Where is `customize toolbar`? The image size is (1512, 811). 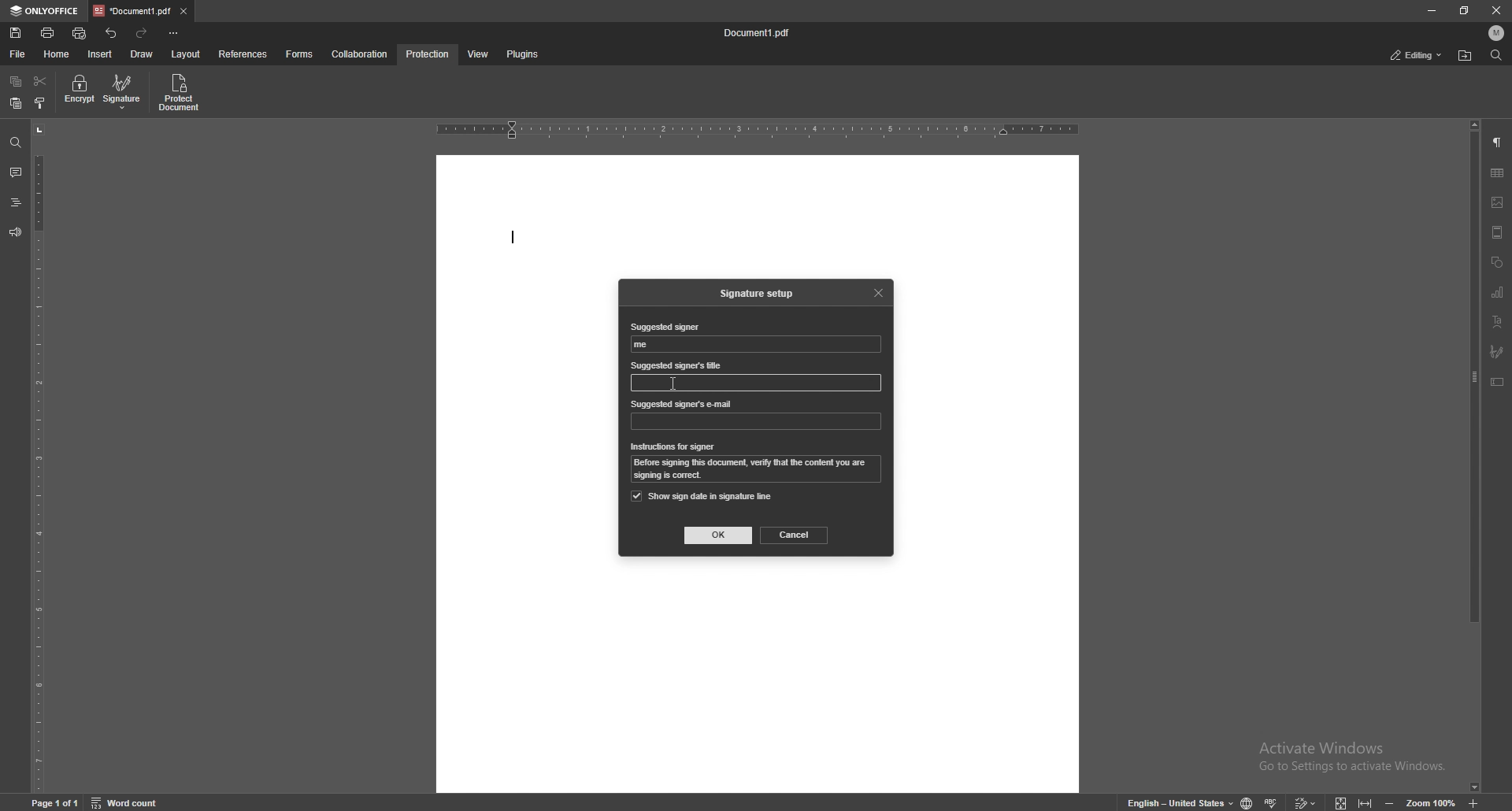
customize toolbar is located at coordinates (173, 32).